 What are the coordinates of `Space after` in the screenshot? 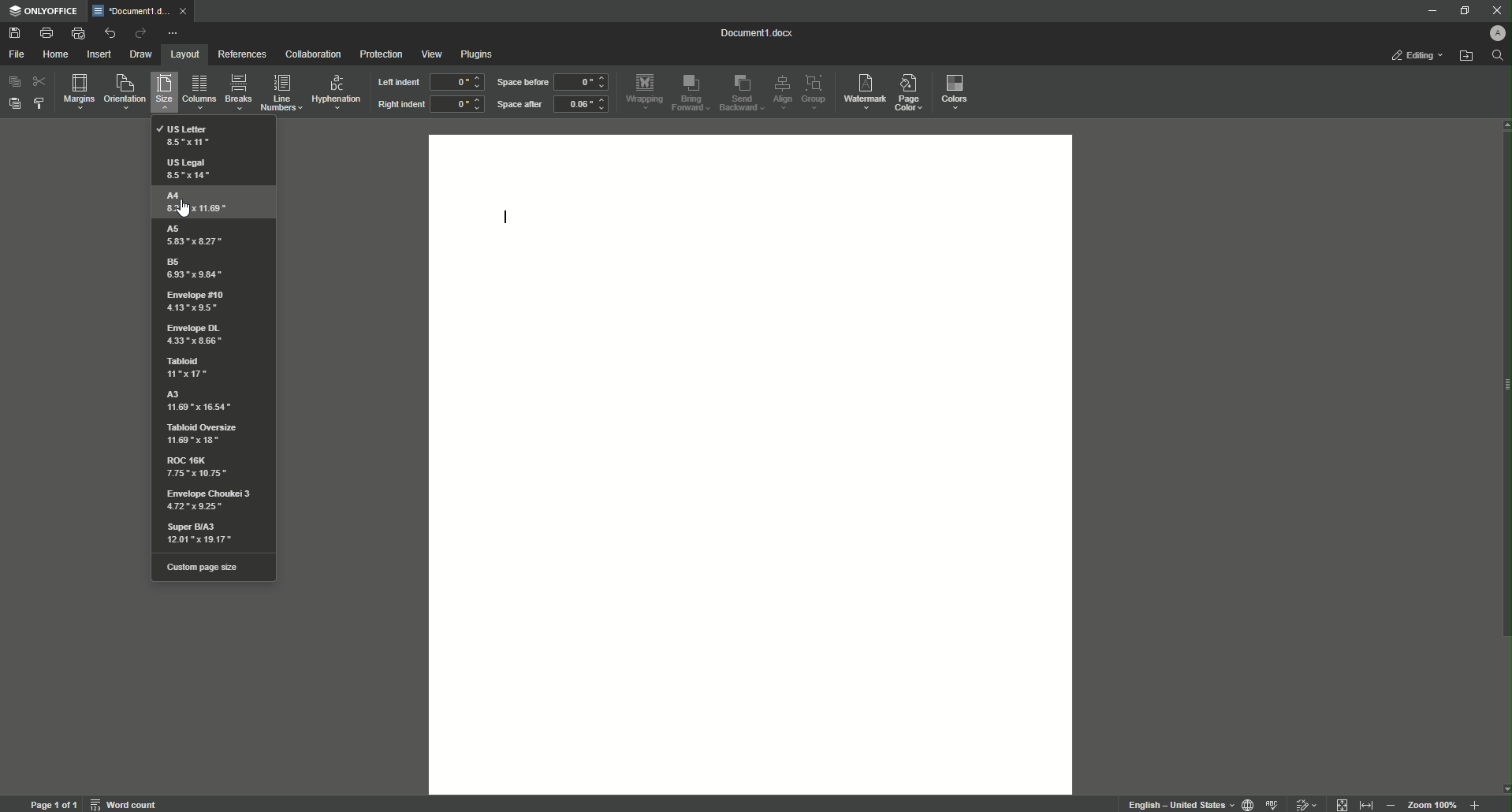 It's located at (520, 106).